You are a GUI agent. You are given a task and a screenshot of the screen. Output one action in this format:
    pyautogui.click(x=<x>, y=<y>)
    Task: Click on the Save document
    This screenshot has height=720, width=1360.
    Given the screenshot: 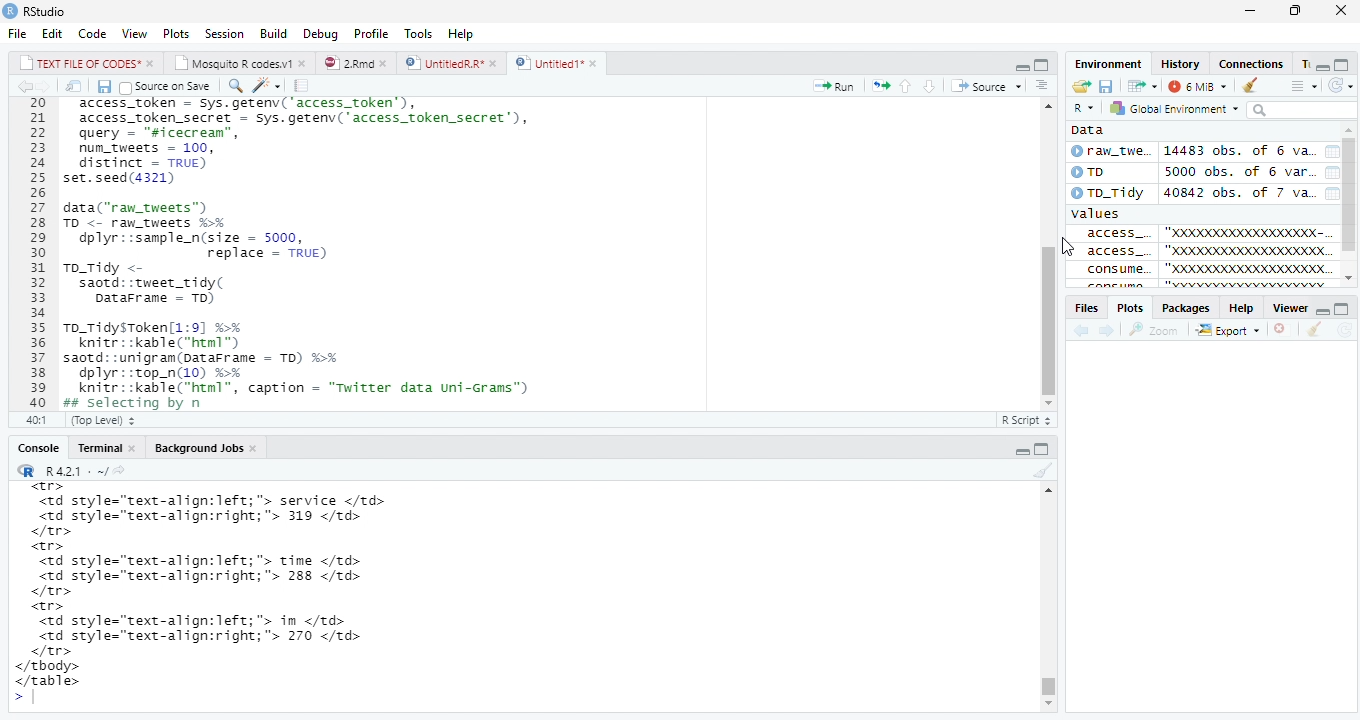 What is the action you would take?
    pyautogui.click(x=102, y=86)
    